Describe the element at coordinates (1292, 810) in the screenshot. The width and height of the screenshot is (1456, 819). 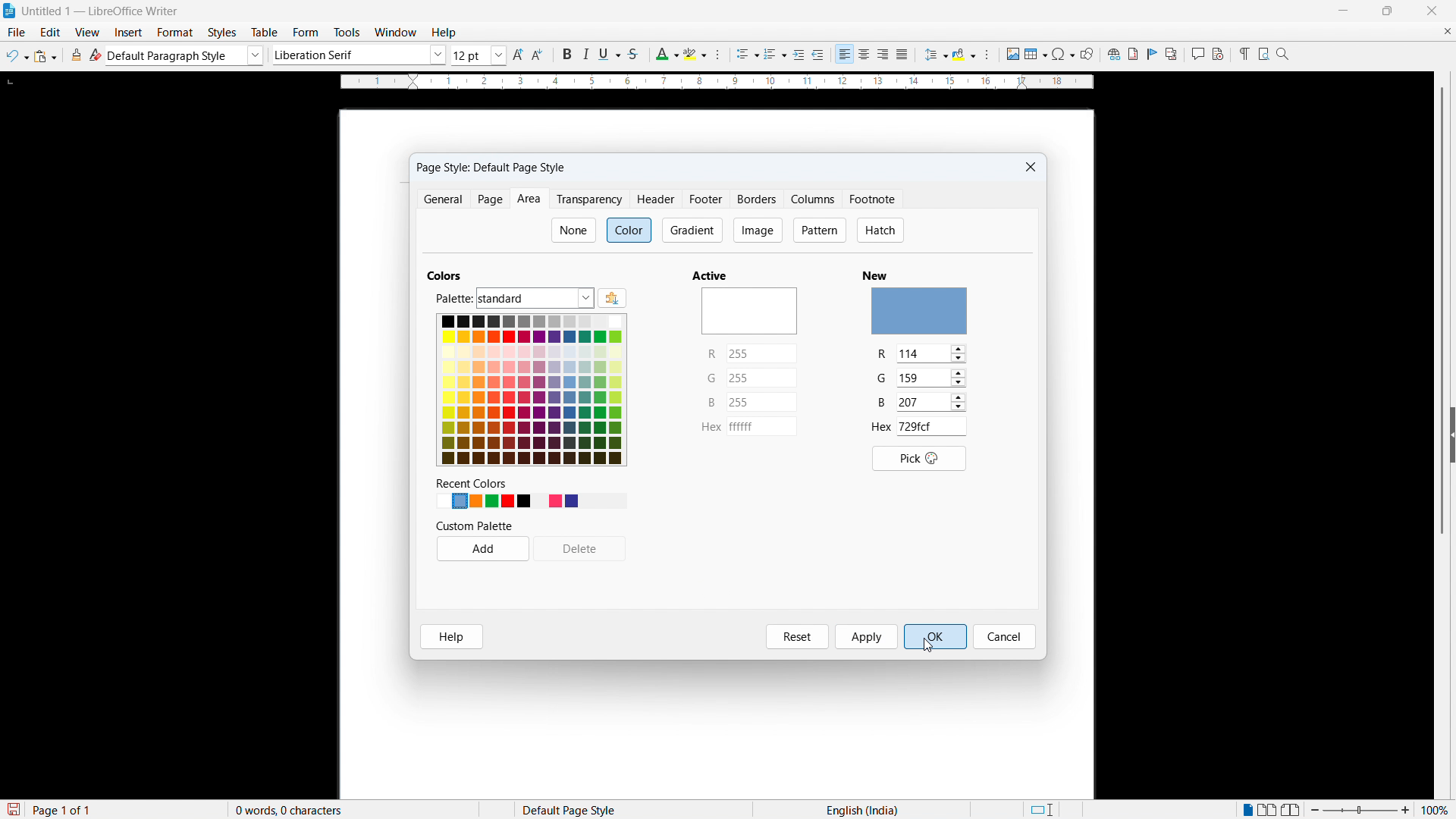
I see `Bookview ` at that location.